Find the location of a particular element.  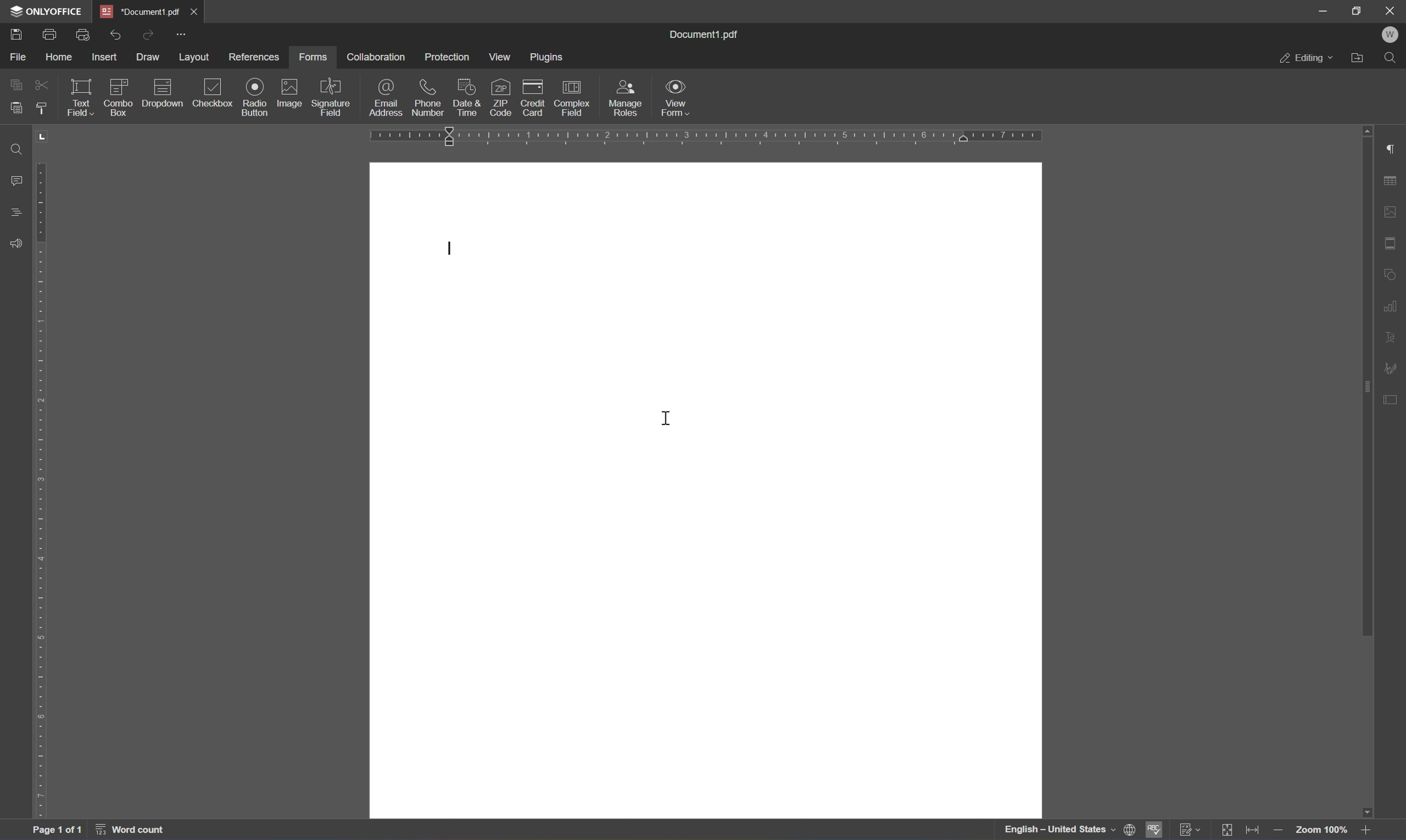

copy style is located at coordinates (40, 107).